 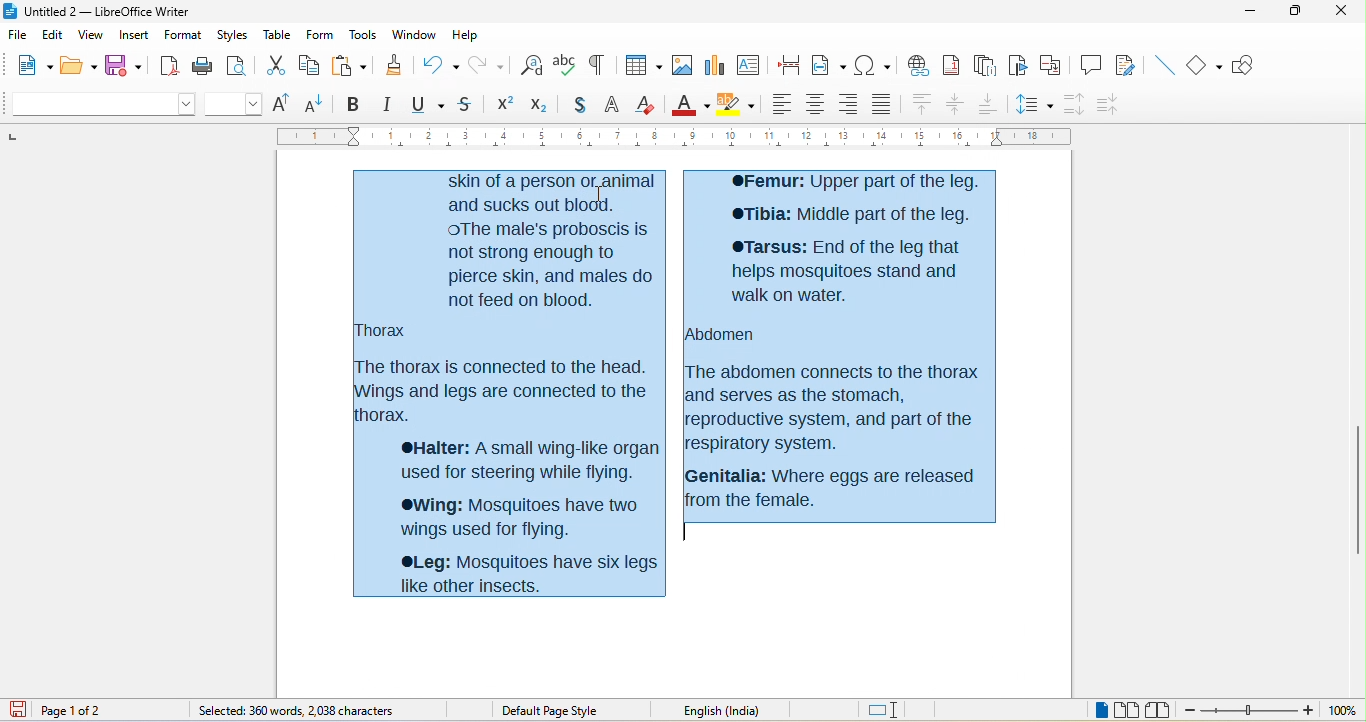 I want to click on multiple page view, so click(x=1126, y=710).